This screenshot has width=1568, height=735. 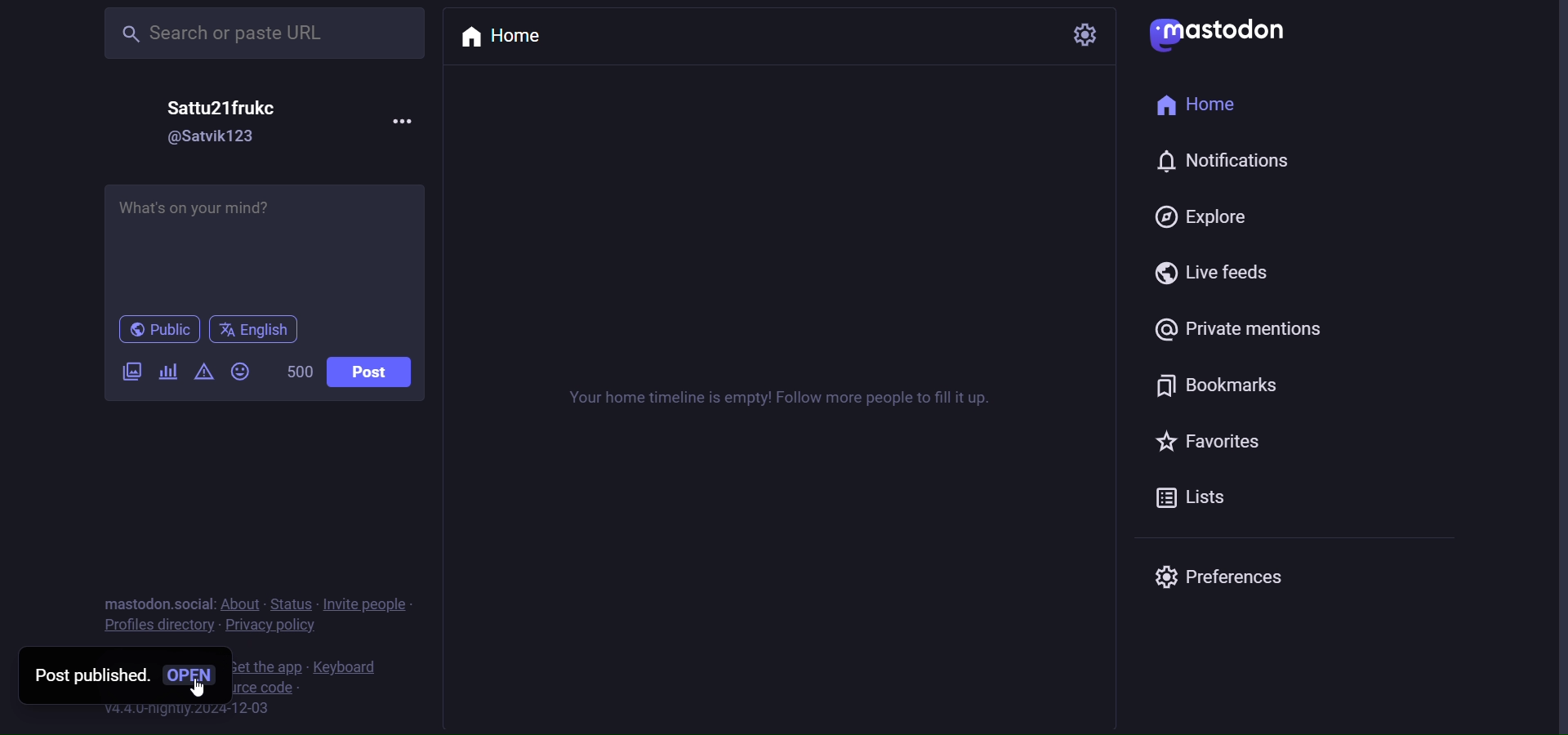 I want to click on bookmark, so click(x=1215, y=387).